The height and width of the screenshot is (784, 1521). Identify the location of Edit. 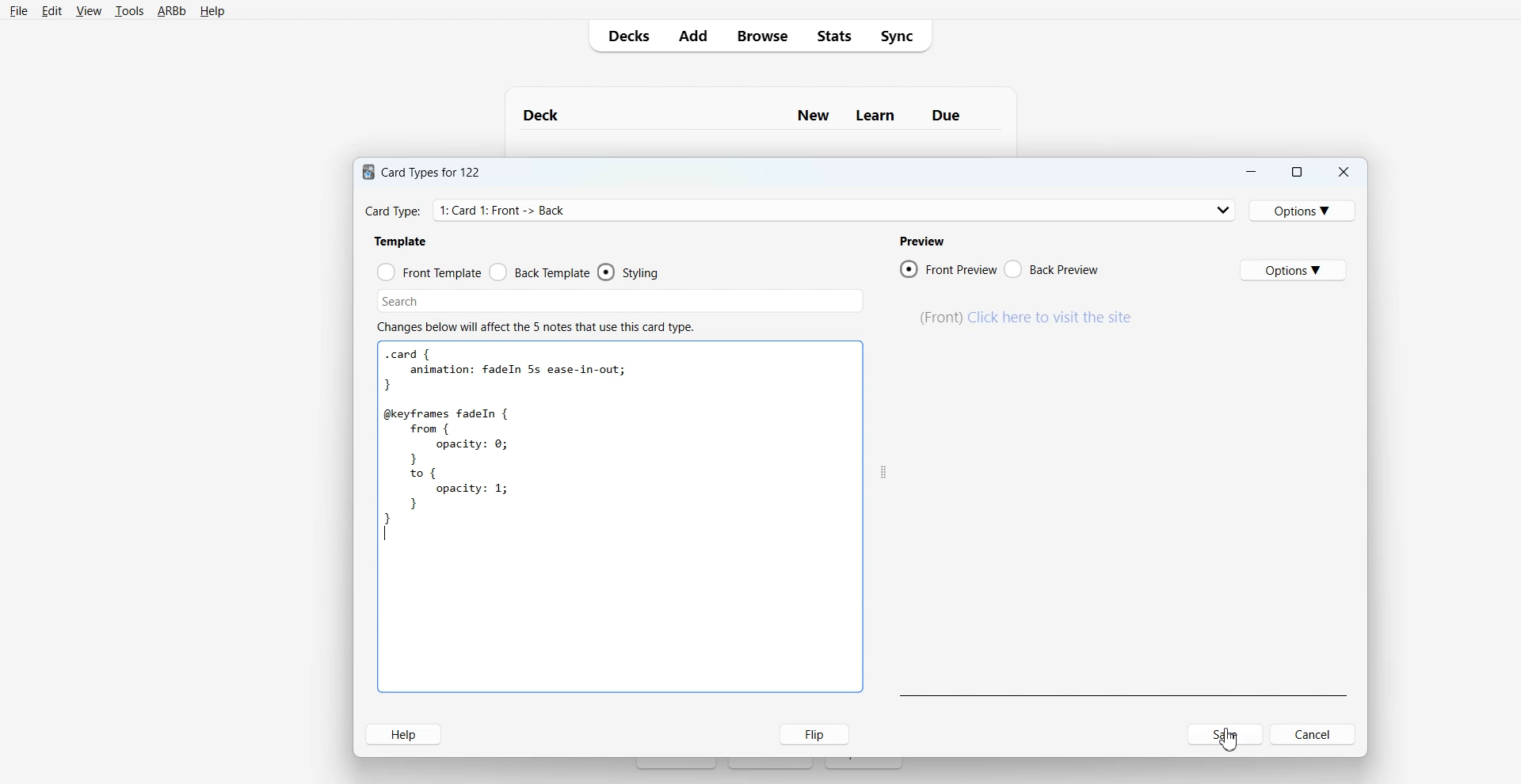
(52, 11).